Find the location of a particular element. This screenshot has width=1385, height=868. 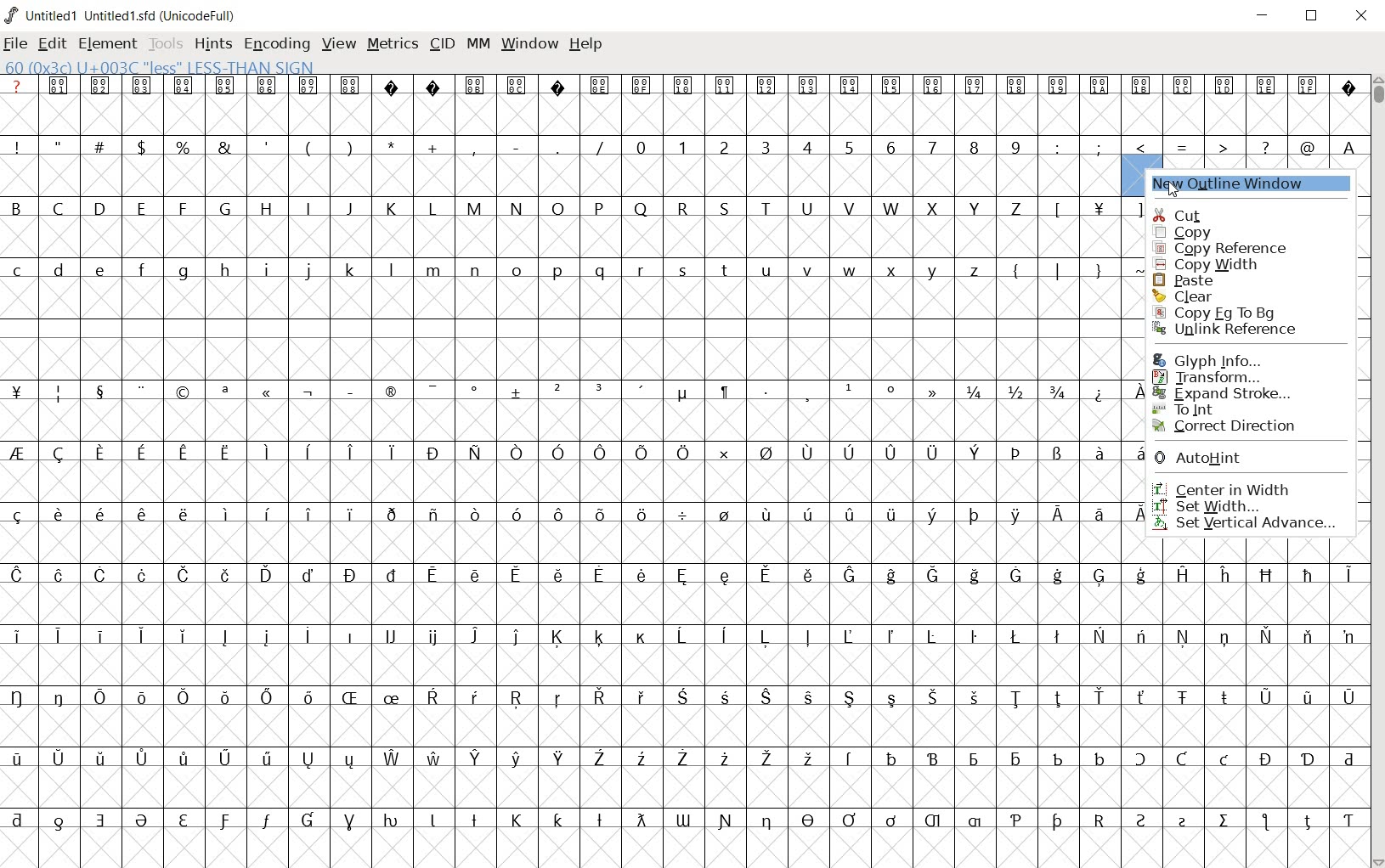

special symbols is located at coordinates (682, 84).